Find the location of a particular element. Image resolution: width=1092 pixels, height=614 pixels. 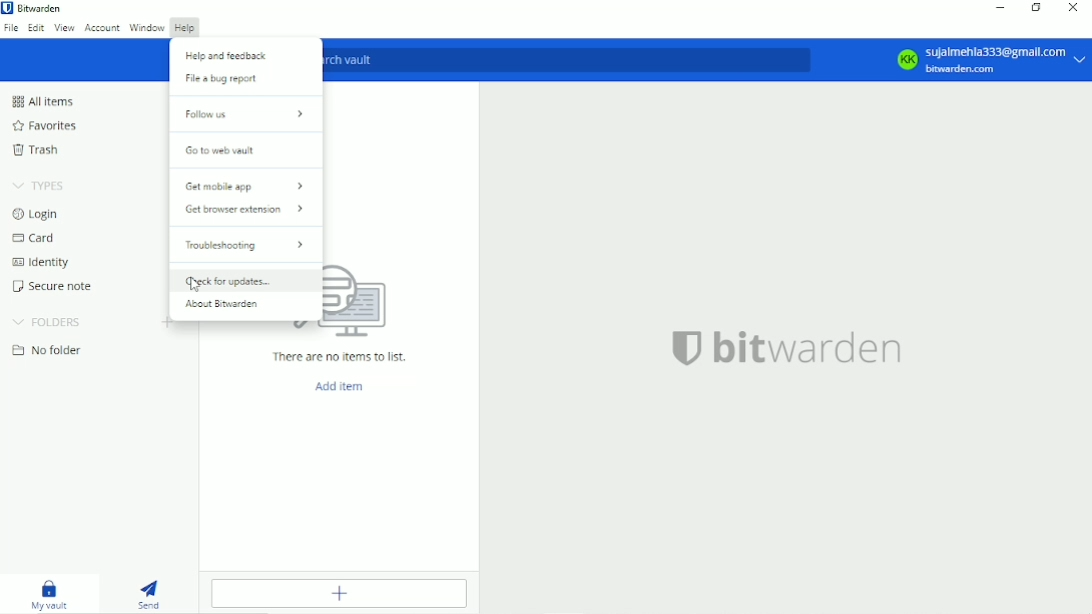

logo is located at coordinates (685, 348).